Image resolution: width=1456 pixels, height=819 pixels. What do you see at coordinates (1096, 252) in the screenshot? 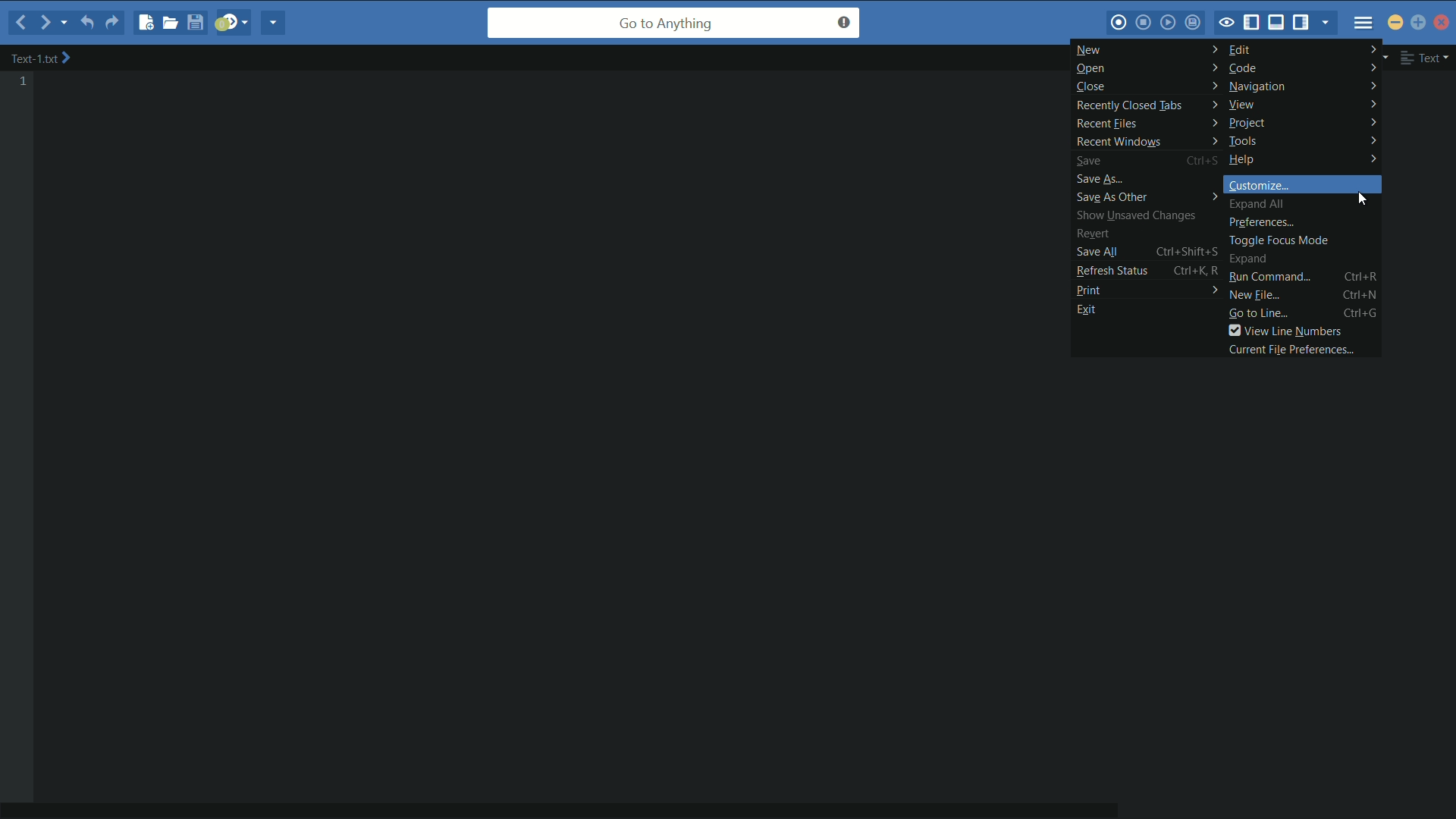
I see `save all` at bounding box center [1096, 252].